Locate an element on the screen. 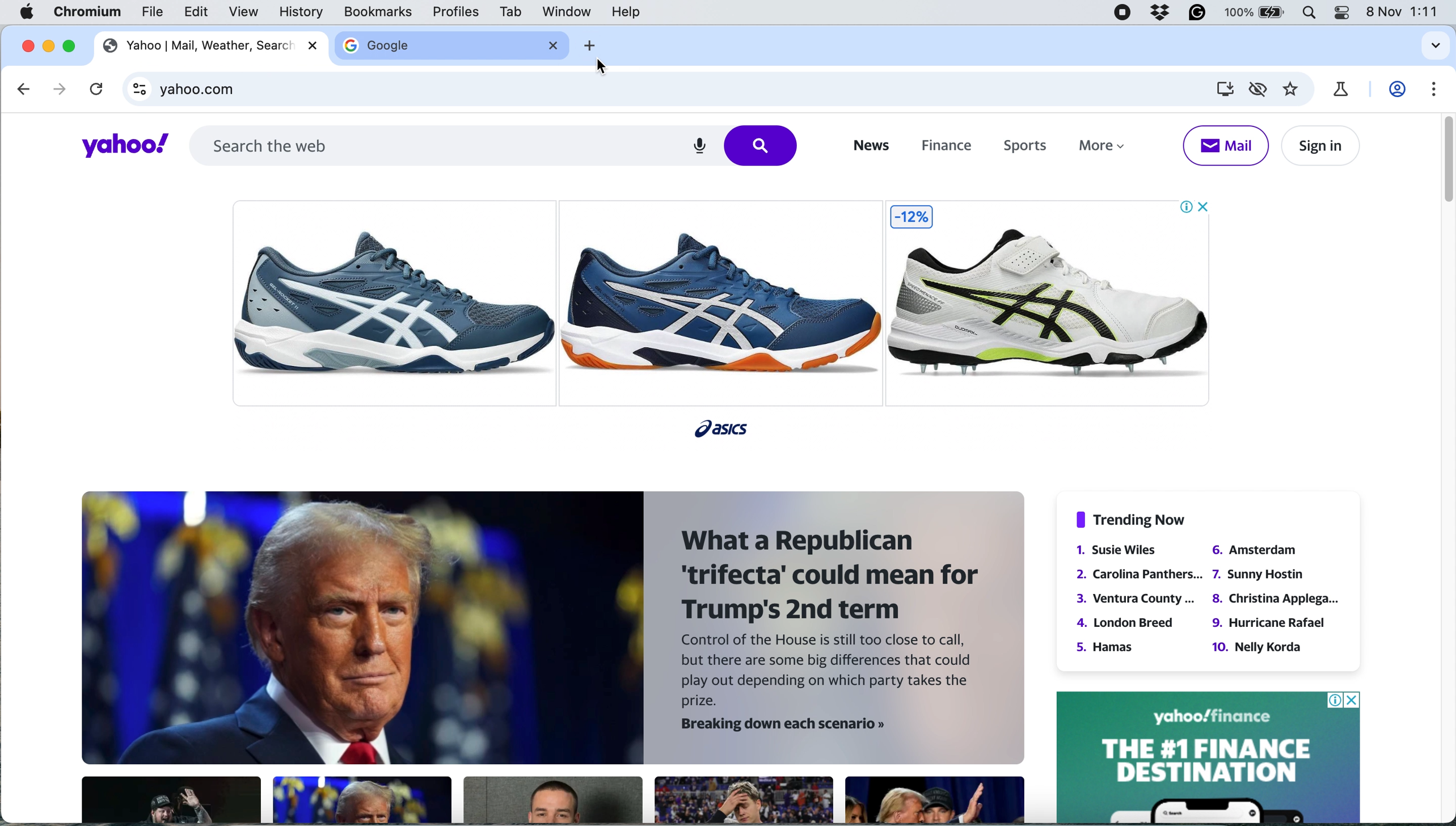  bookmarks is located at coordinates (378, 12).